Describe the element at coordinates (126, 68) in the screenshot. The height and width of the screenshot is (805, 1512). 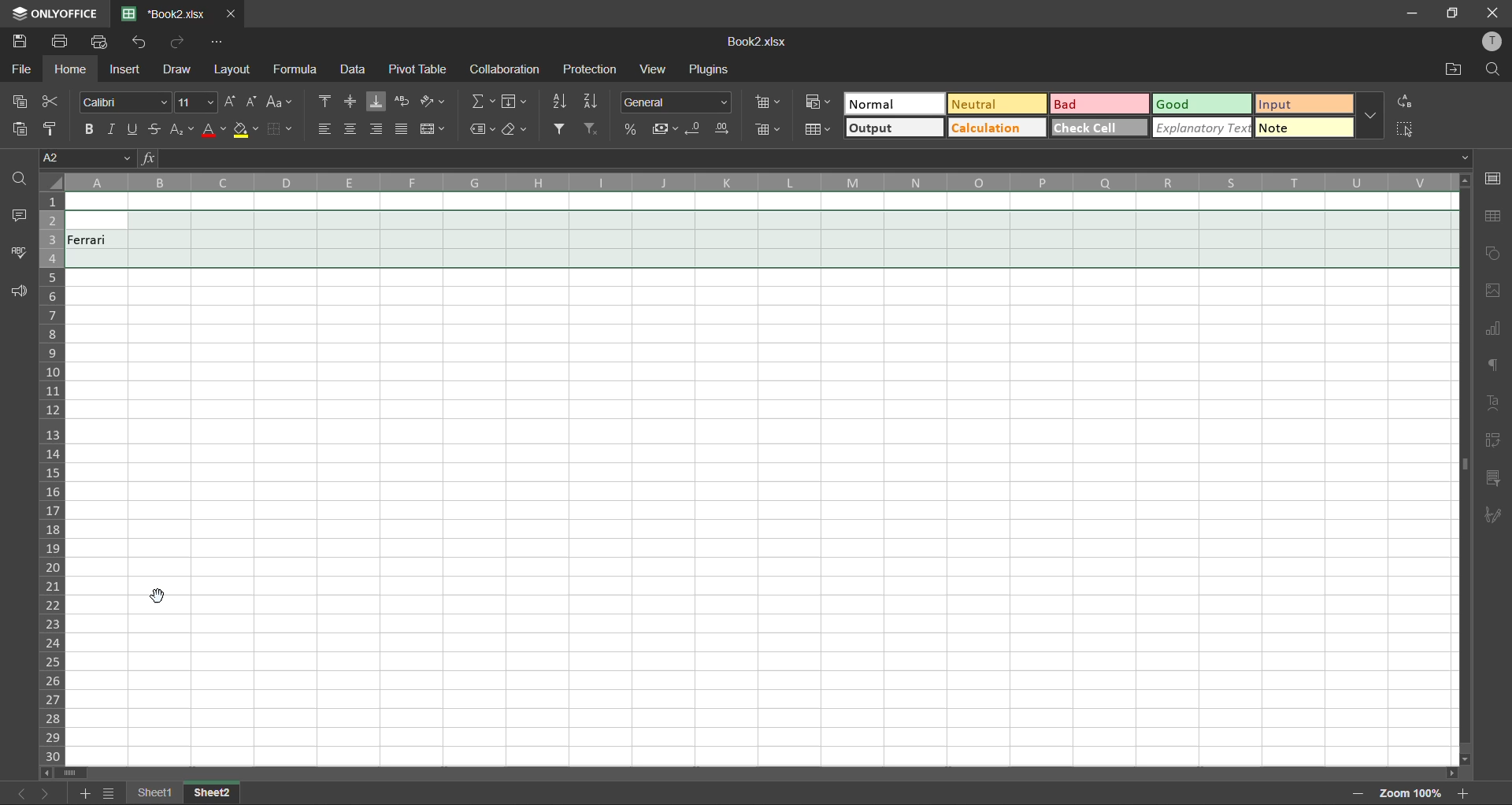
I see `insert` at that location.